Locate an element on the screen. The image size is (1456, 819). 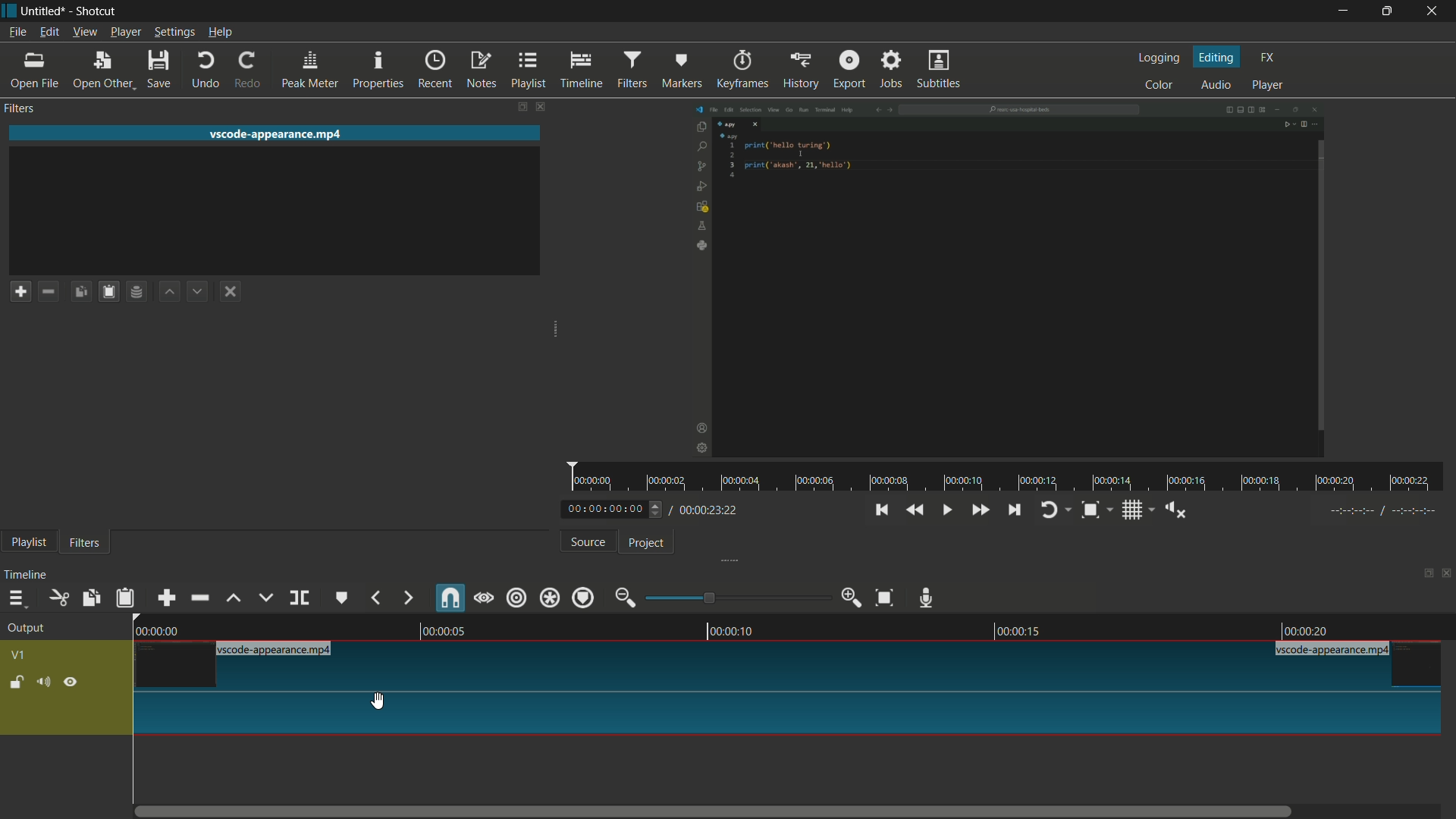
deselect the filter is located at coordinates (231, 292).